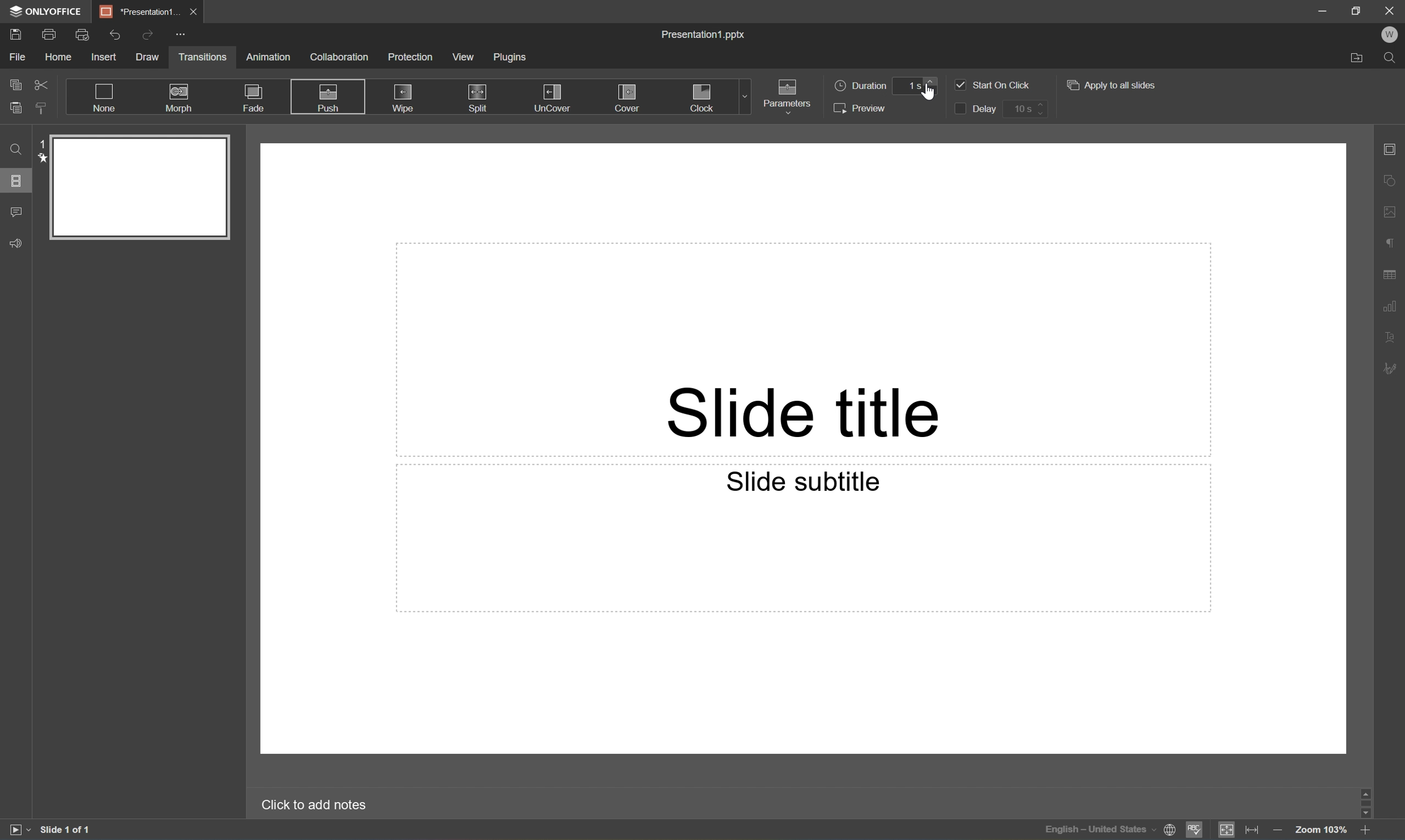 This screenshot has width=1405, height=840. Describe the element at coordinates (328, 98) in the screenshot. I see `Push Selected` at that location.